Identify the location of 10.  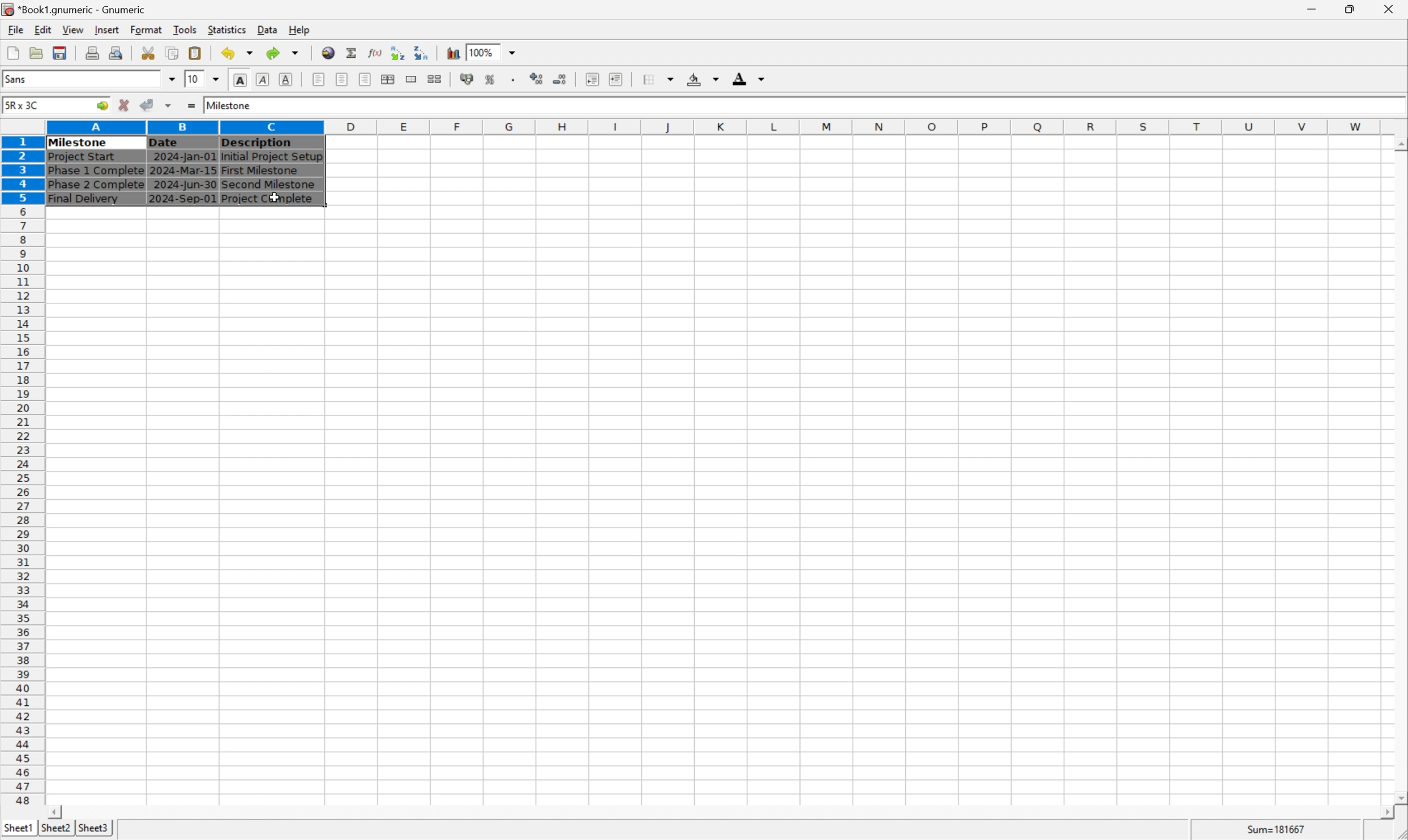
(192, 79).